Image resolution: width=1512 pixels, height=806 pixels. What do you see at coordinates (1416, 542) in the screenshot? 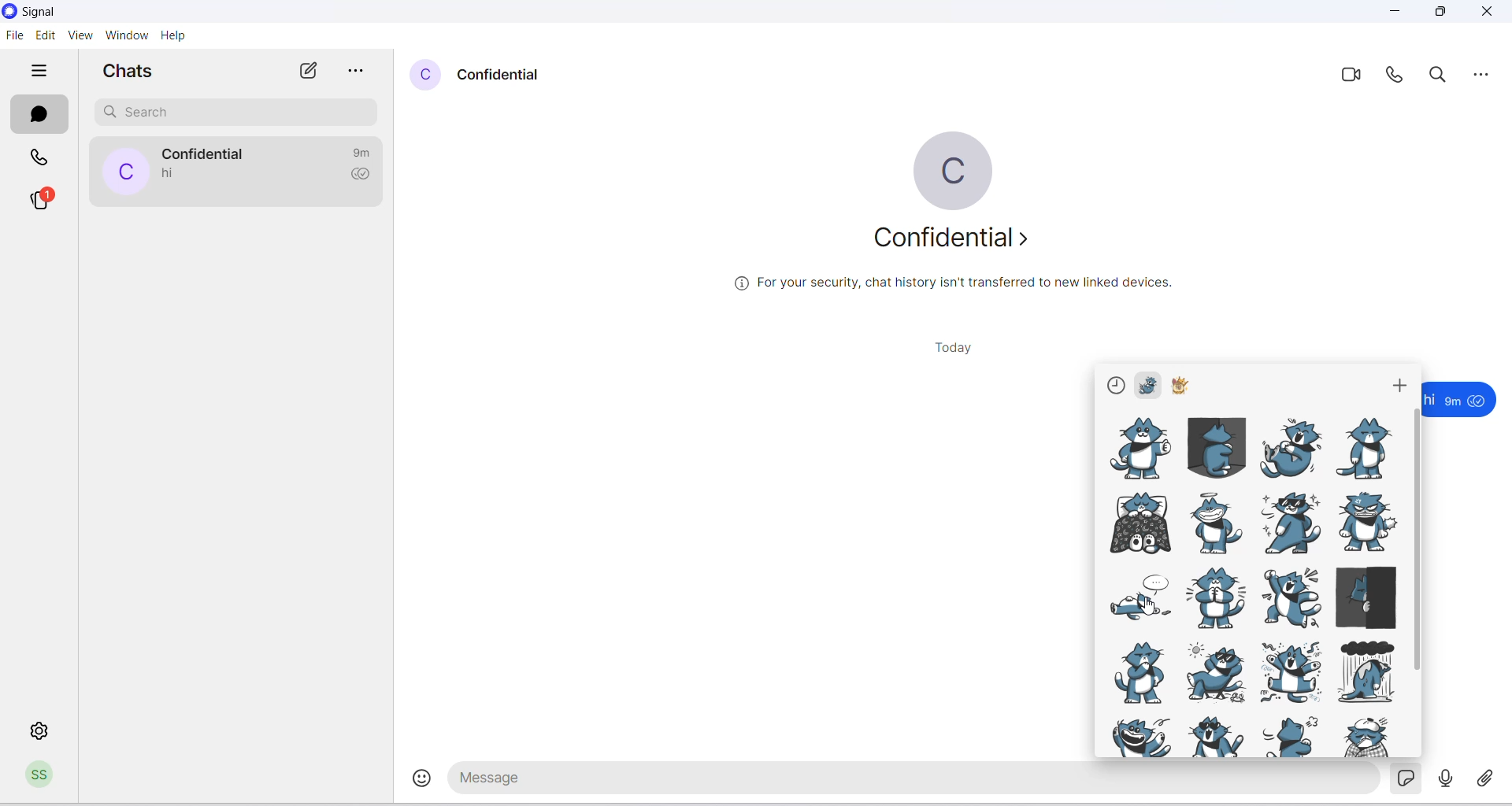
I see `scrollbar` at bounding box center [1416, 542].